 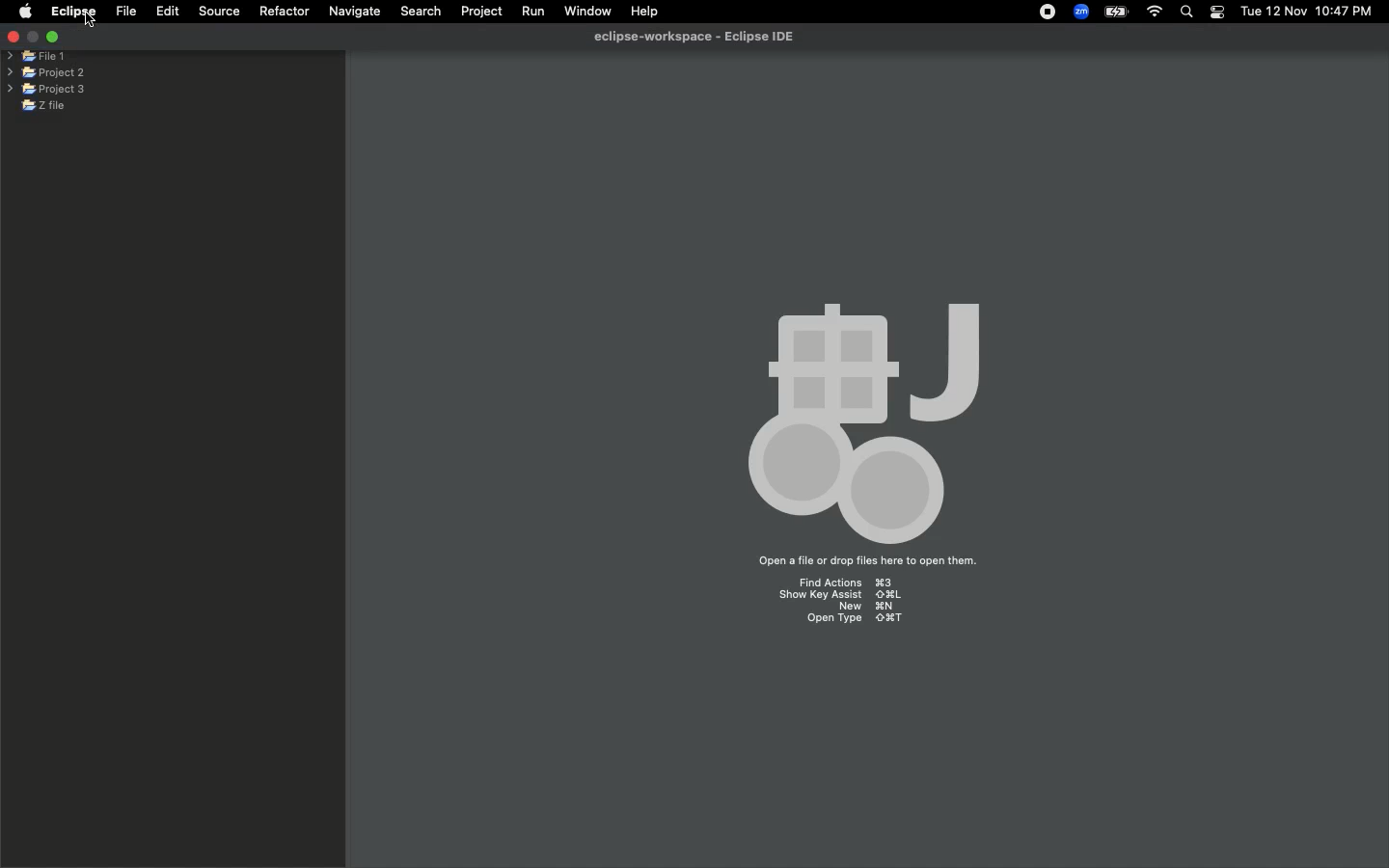 I want to click on Project, so click(x=481, y=10).